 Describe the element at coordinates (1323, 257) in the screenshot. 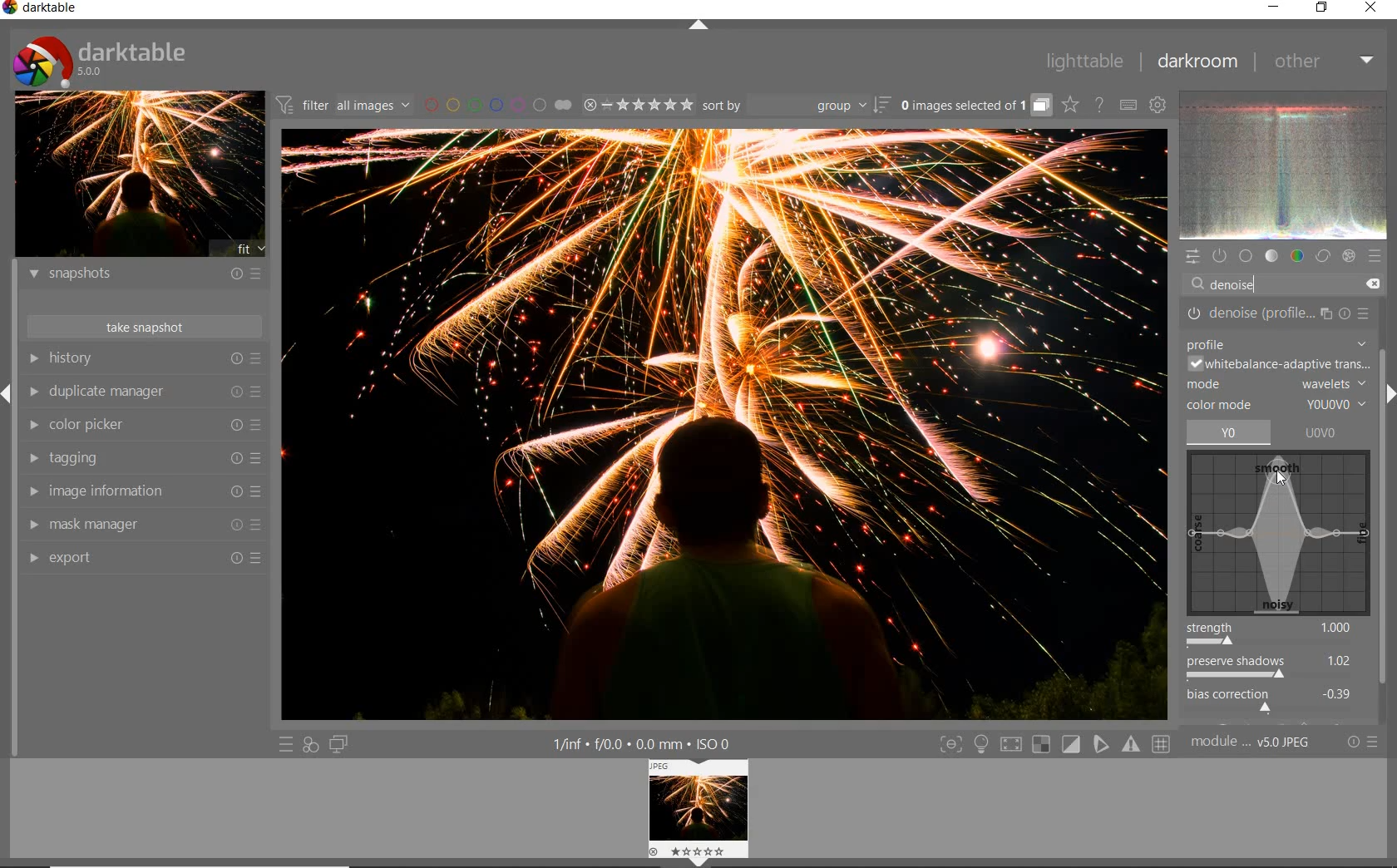

I see `correct` at that location.